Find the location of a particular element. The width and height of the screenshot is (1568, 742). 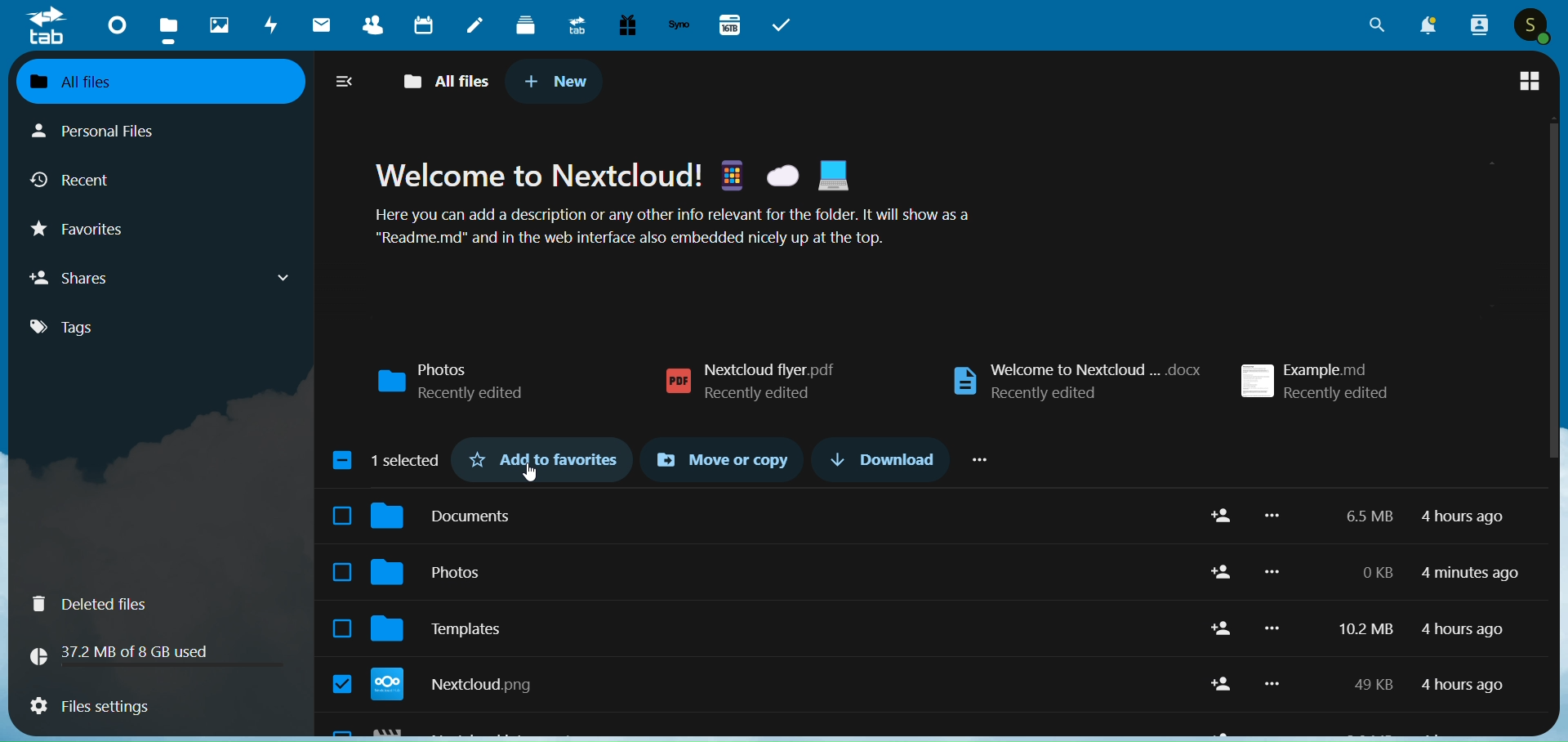

tile view is located at coordinates (1530, 76).